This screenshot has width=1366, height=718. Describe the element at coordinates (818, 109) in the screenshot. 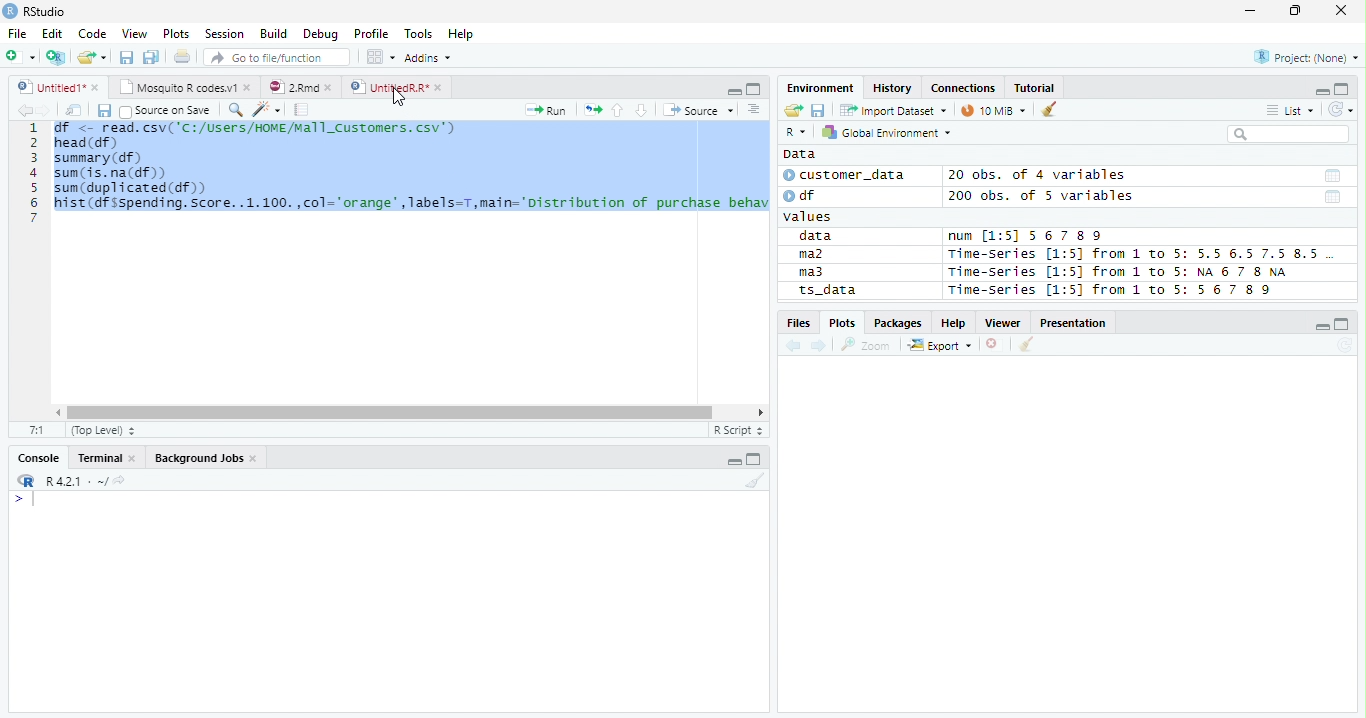

I see `Save` at that location.